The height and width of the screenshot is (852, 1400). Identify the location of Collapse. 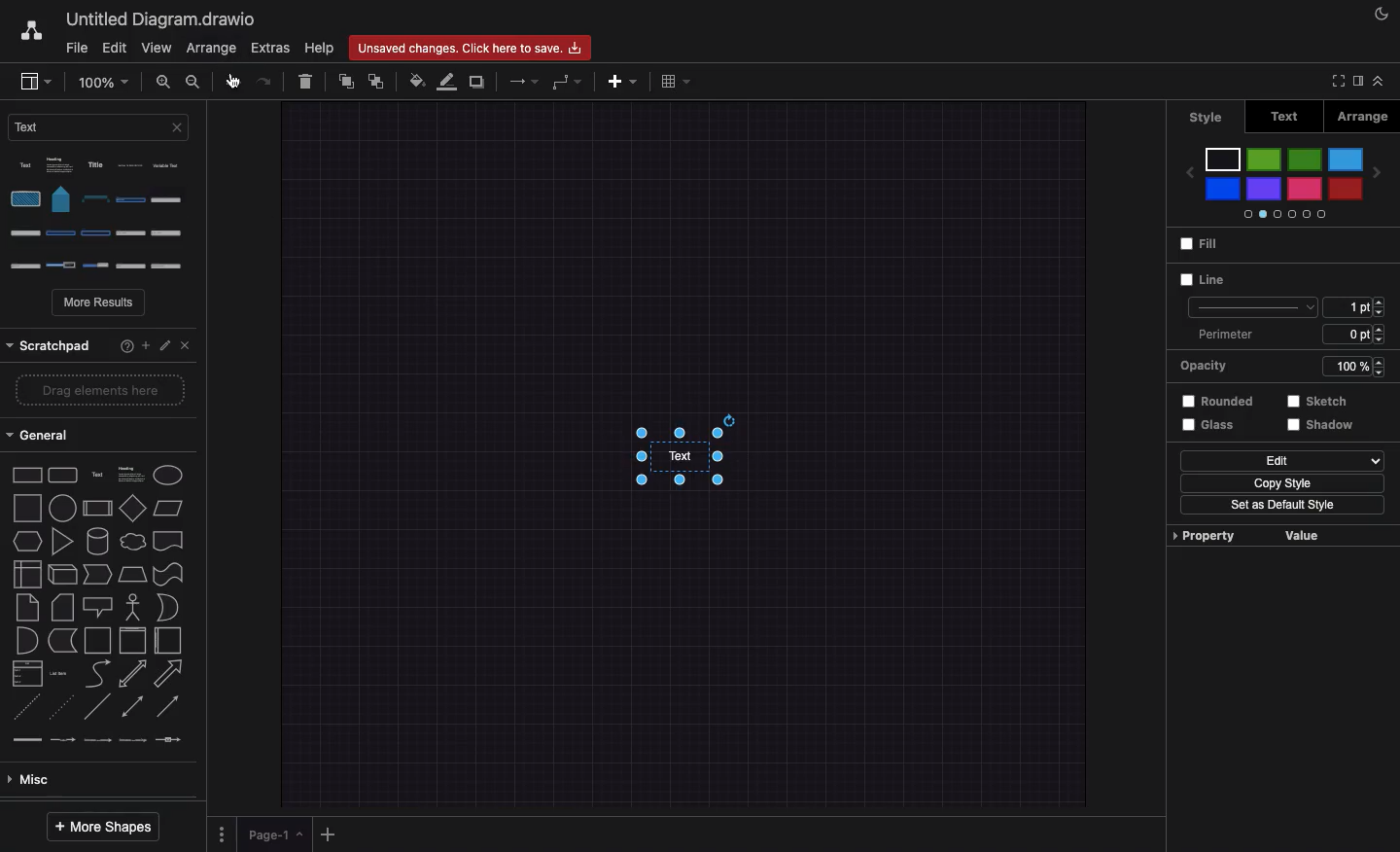
(1383, 83).